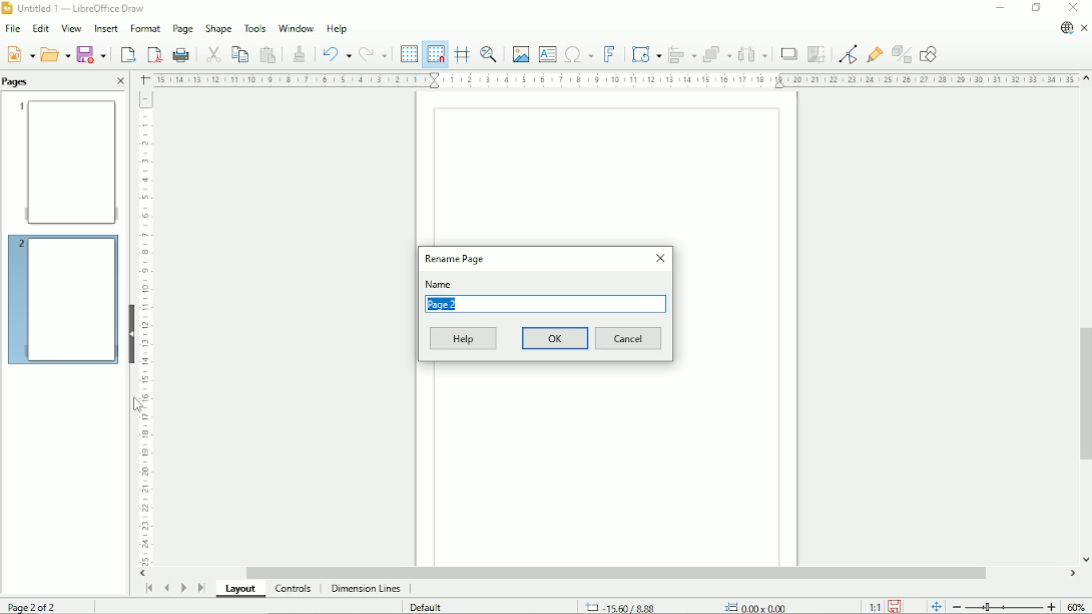 This screenshot has width=1092, height=614. Describe the element at coordinates (373, 55) in the screenshot. I see `Redo` at that location.